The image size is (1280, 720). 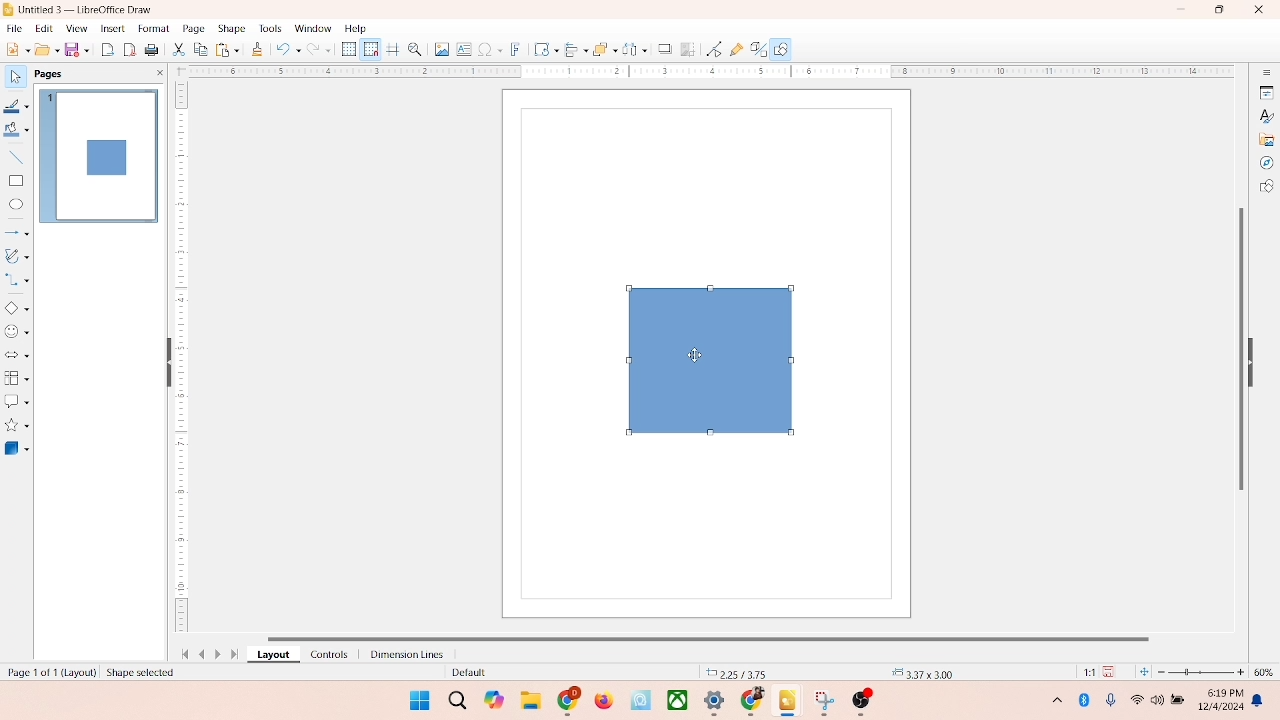 I want to click on hide, so click(x=165, y=364).